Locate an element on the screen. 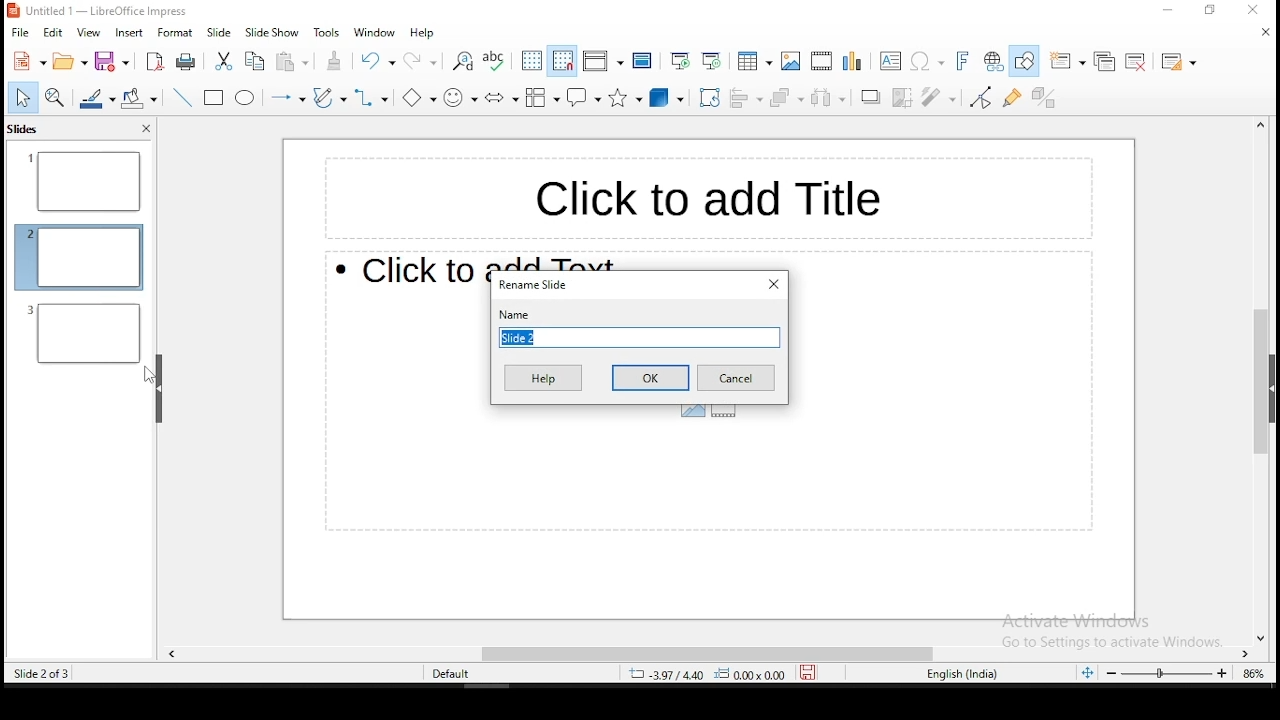  default is located at coordinates (453, 675).